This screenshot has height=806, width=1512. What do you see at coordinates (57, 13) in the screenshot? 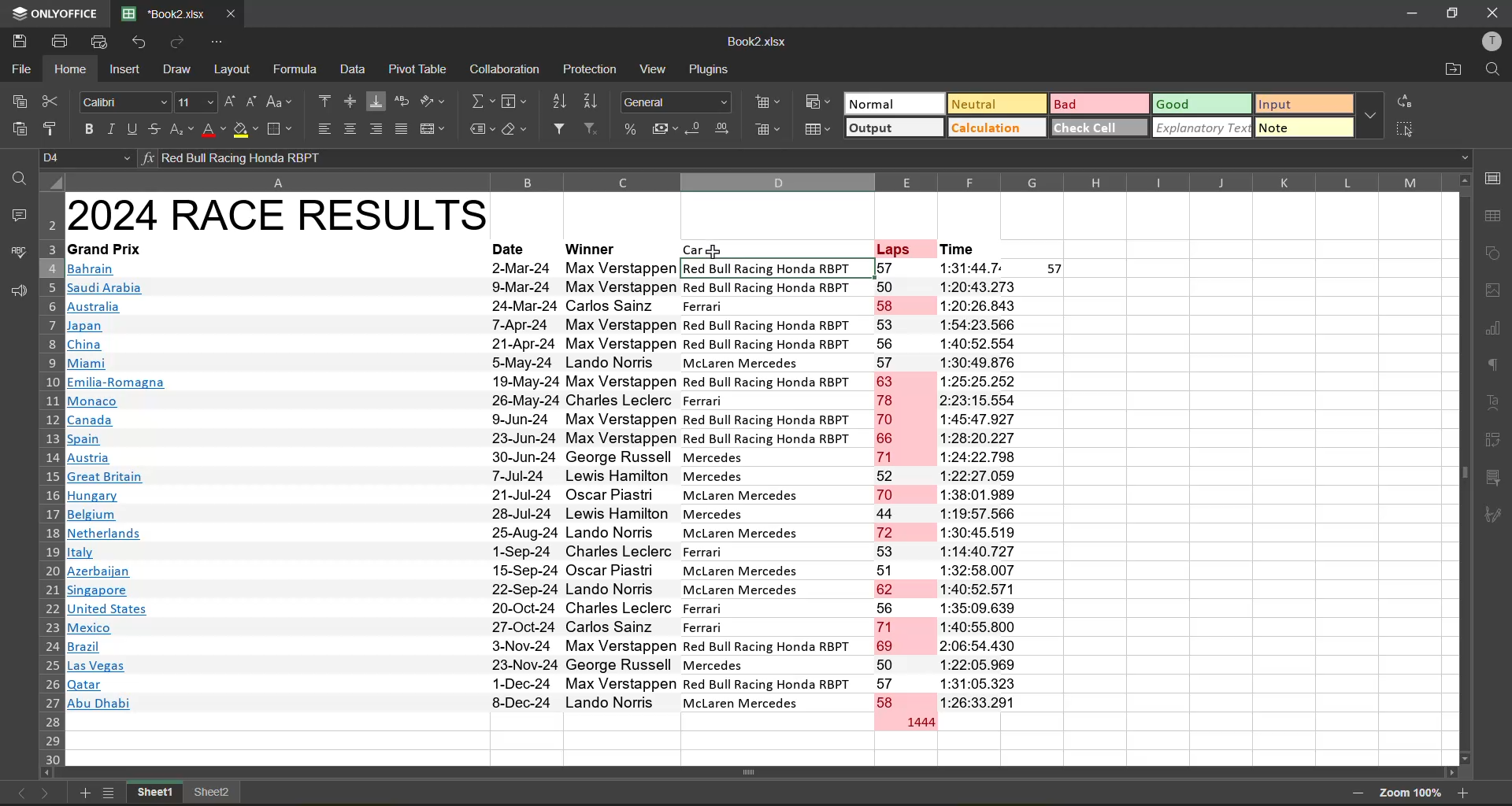
I see `app name` at bounding box center [57, 13].